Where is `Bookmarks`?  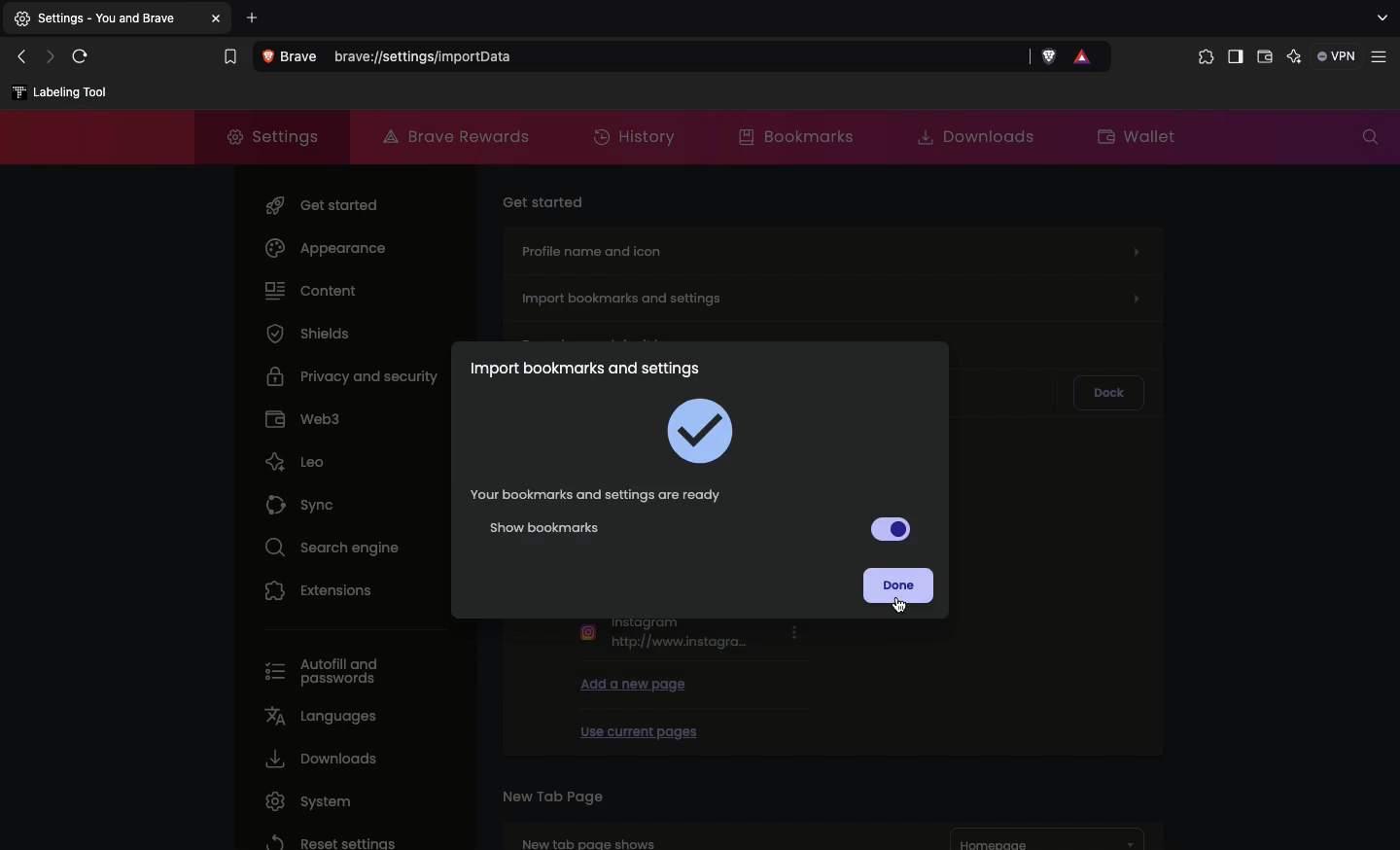 Bookmarks is located at coordinates (228, 57).